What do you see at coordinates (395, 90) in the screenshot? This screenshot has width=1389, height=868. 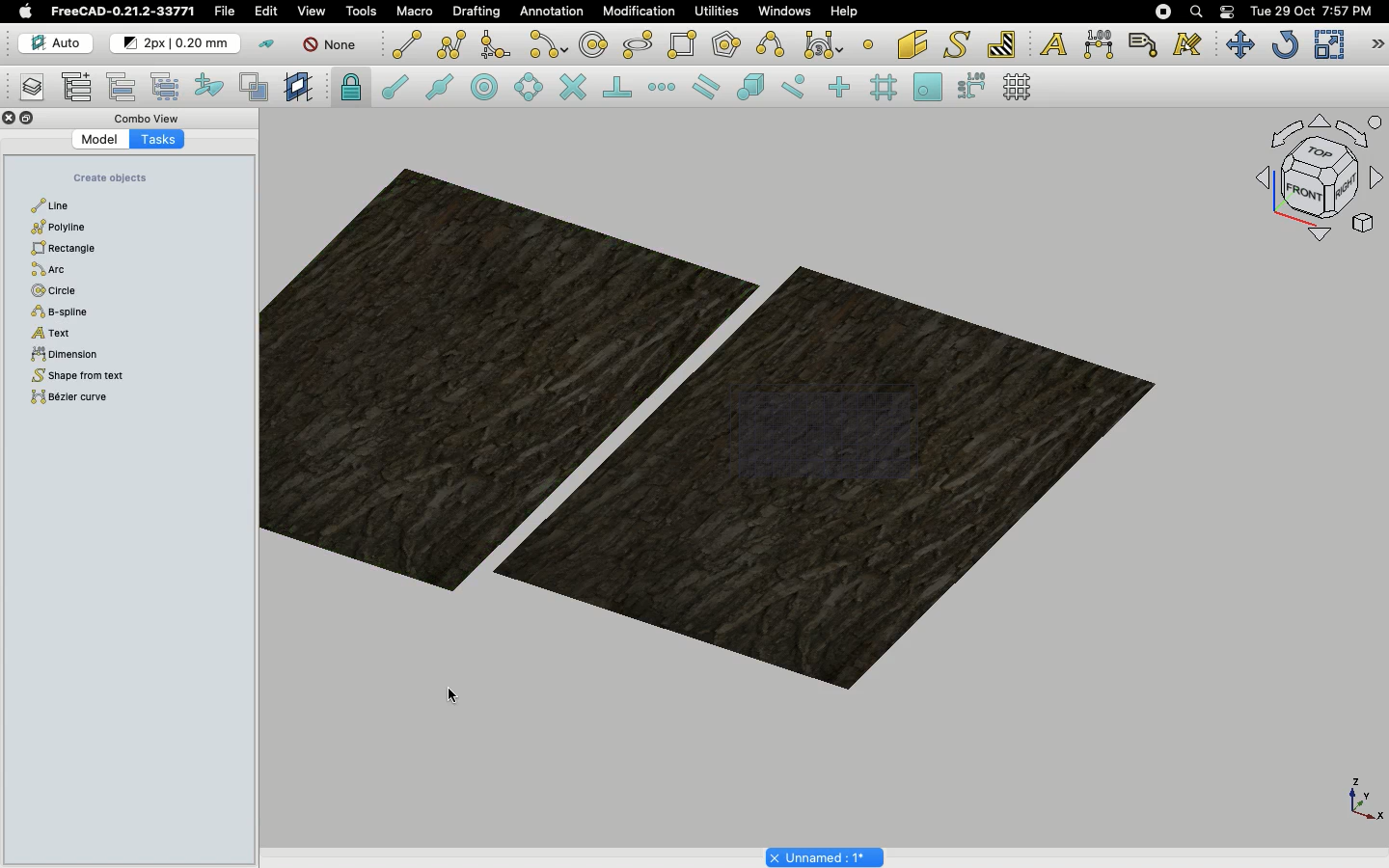 I see `Snap endpoint` at bounding box center [395, 90].